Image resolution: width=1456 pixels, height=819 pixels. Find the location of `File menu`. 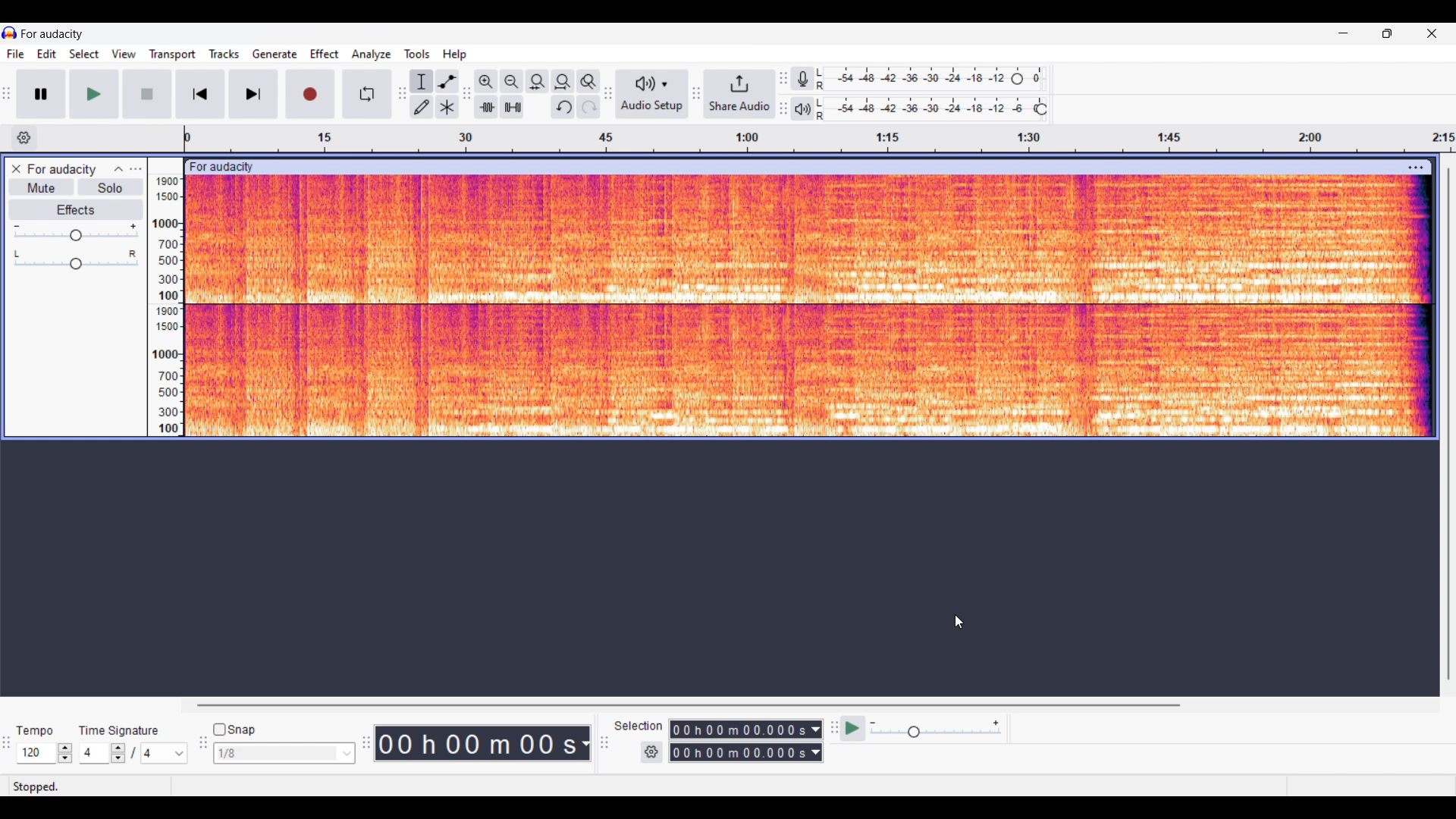

File menu is located at coordinates (16, 54).